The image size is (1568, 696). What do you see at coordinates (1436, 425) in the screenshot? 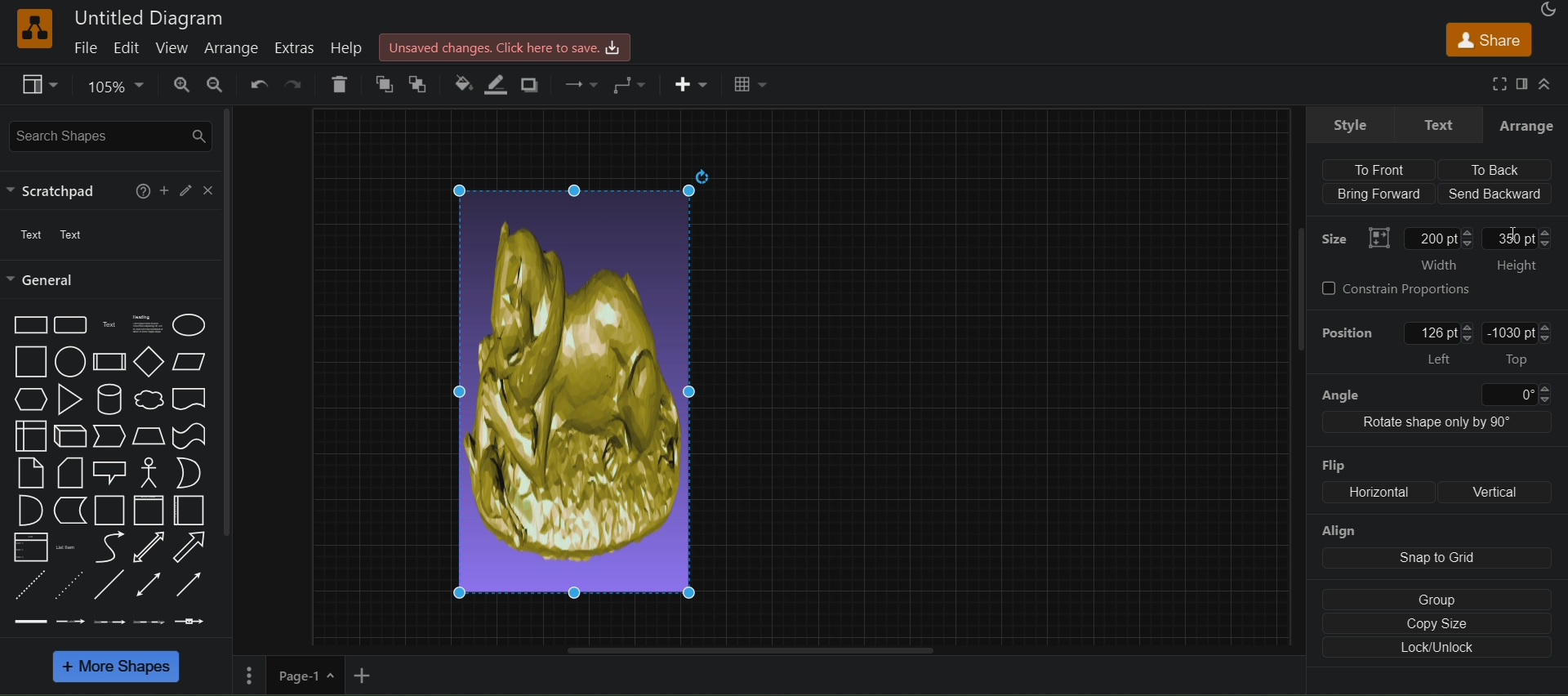
I see `Rotate shape only by 90 degree` at bounding box center [1436, 425].